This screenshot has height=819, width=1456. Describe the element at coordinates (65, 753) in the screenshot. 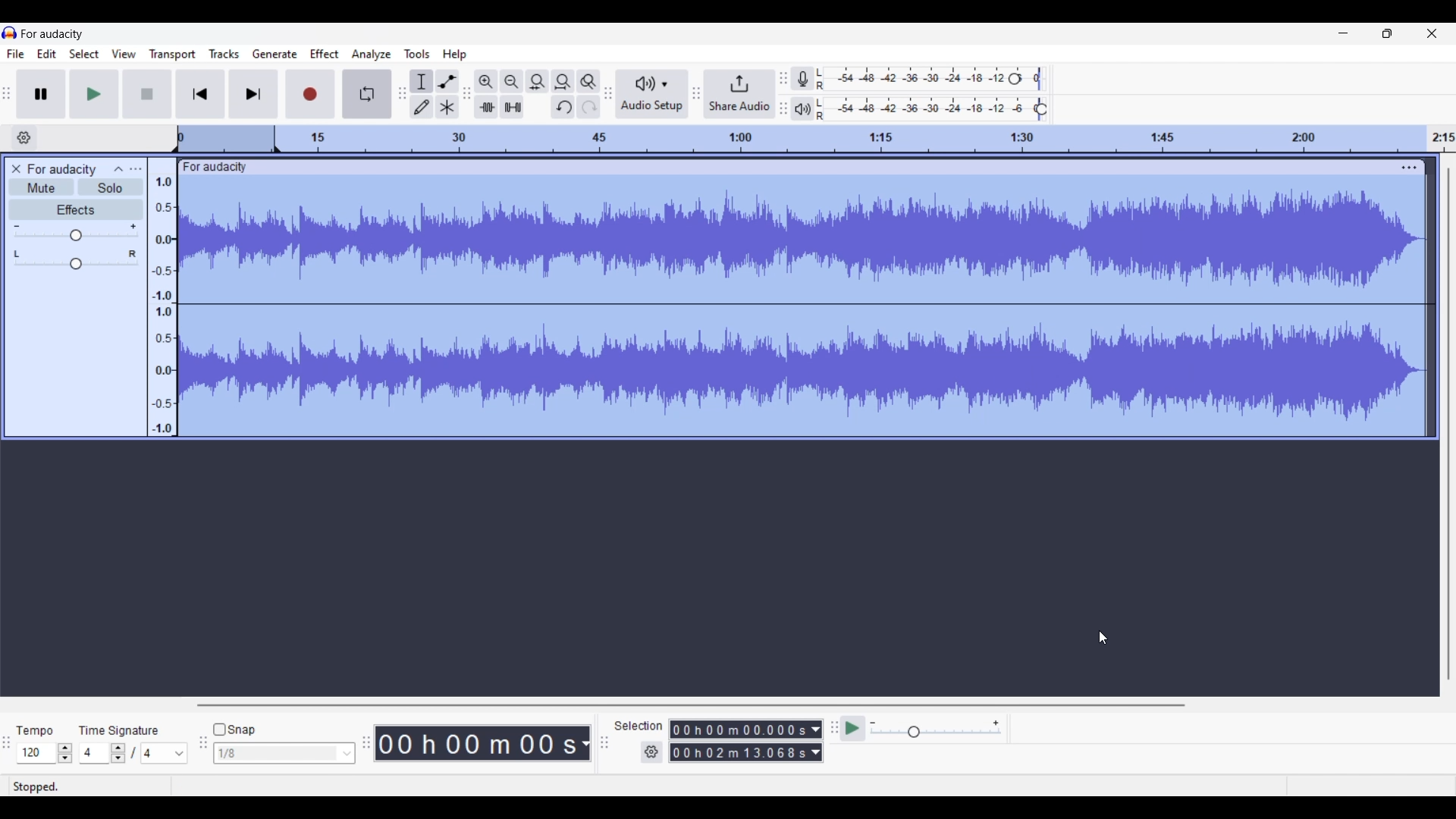

I see `Increase/Decrease tempo` at that location.